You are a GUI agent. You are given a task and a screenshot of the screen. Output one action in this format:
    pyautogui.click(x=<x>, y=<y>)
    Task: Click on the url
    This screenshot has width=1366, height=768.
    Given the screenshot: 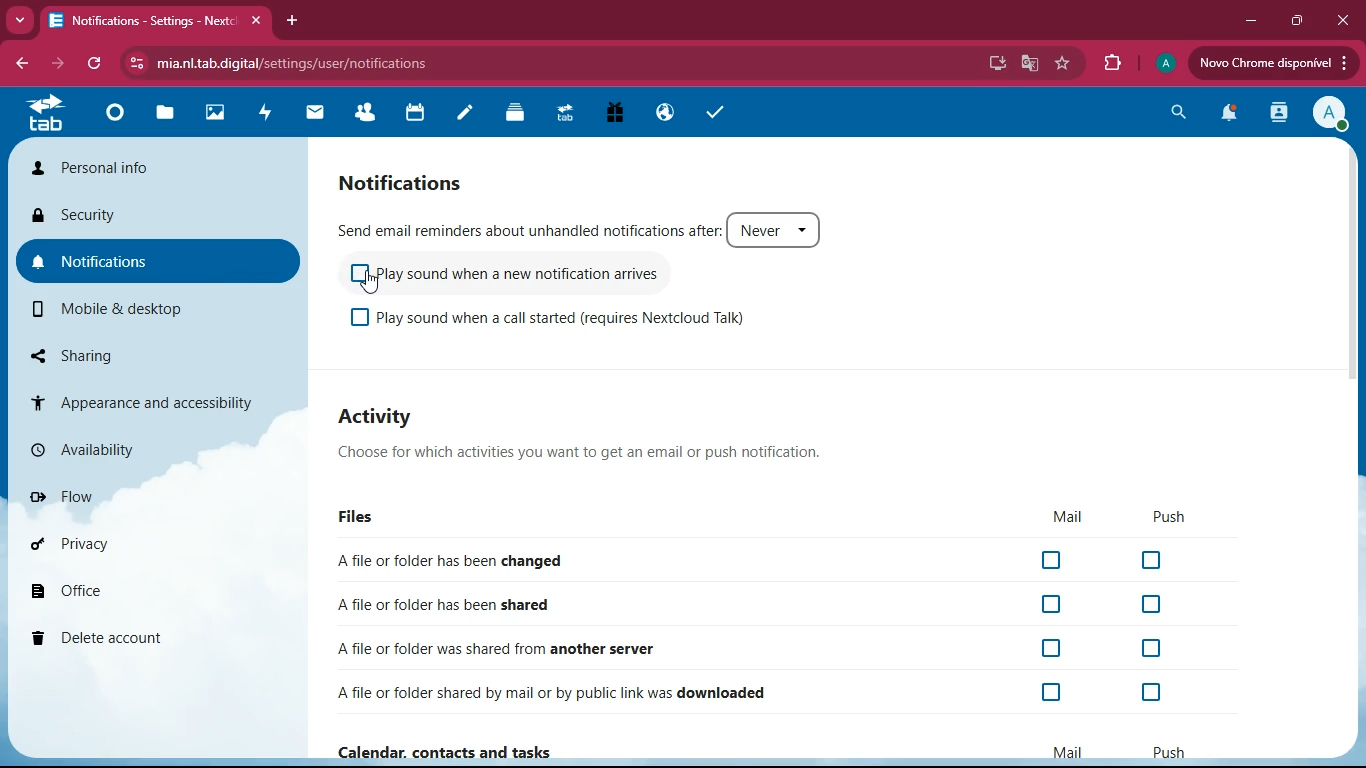 What is the action you would take?
    pyautogui.click(x=306, y=62)
    